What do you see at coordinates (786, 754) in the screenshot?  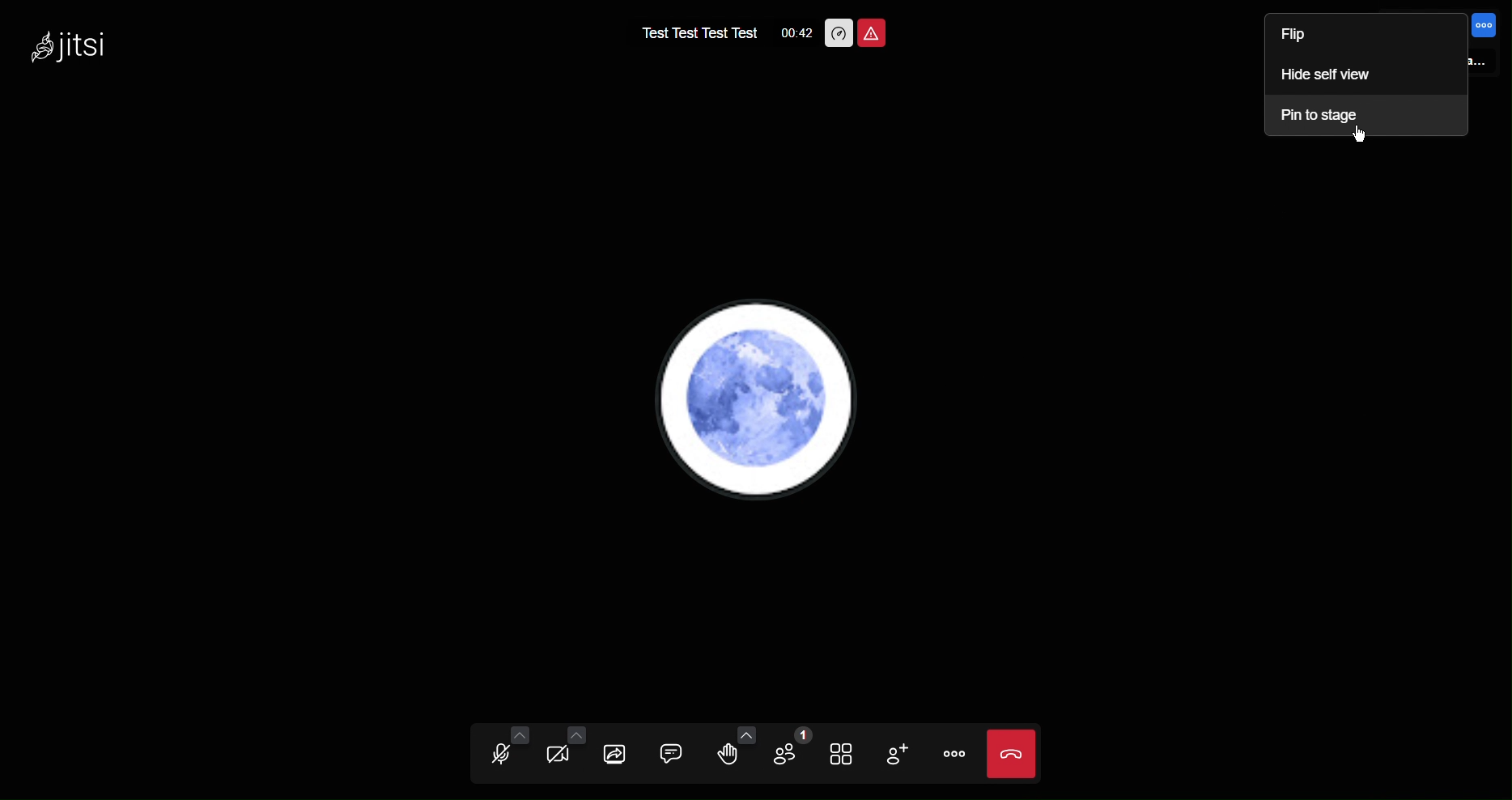 I see `Participants` at bounding box center [786, 754].